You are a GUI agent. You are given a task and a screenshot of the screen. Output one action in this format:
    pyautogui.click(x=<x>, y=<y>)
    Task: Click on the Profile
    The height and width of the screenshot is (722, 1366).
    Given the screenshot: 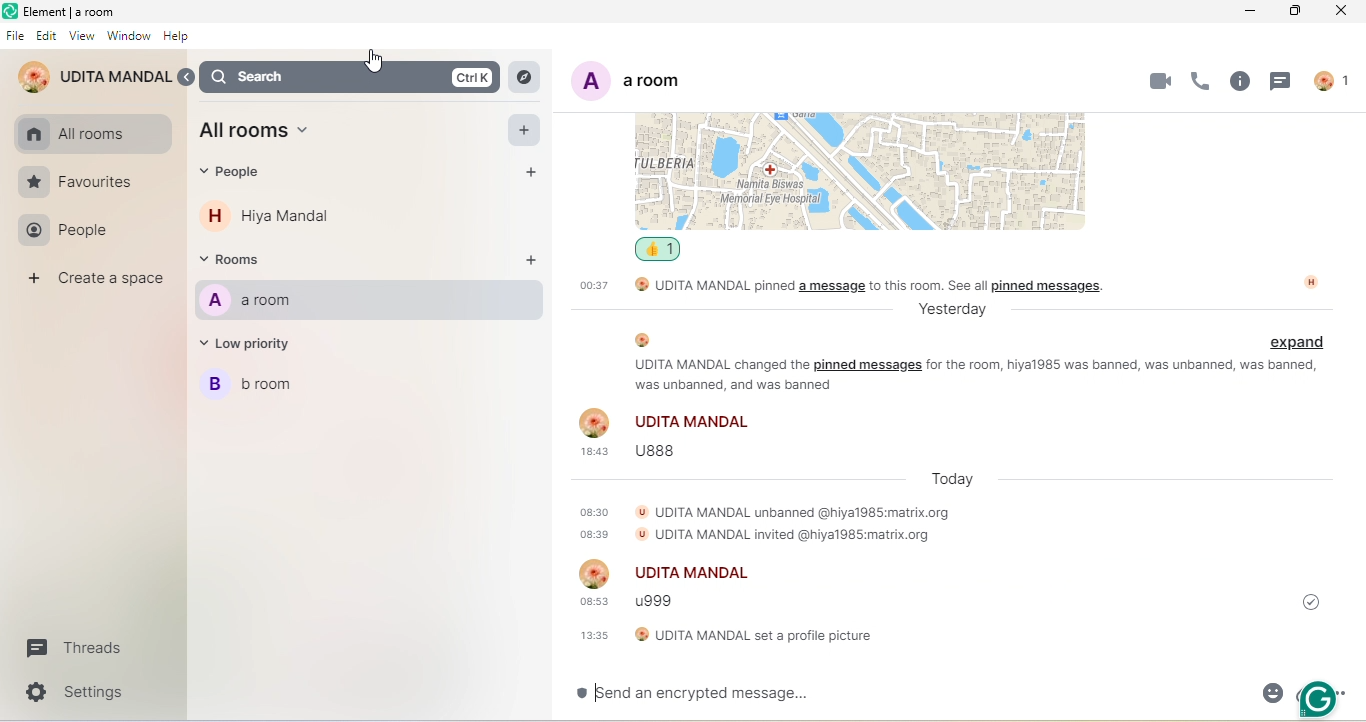 What is the action you would take?
    pyautogui.click(x=1333, y=83)
    